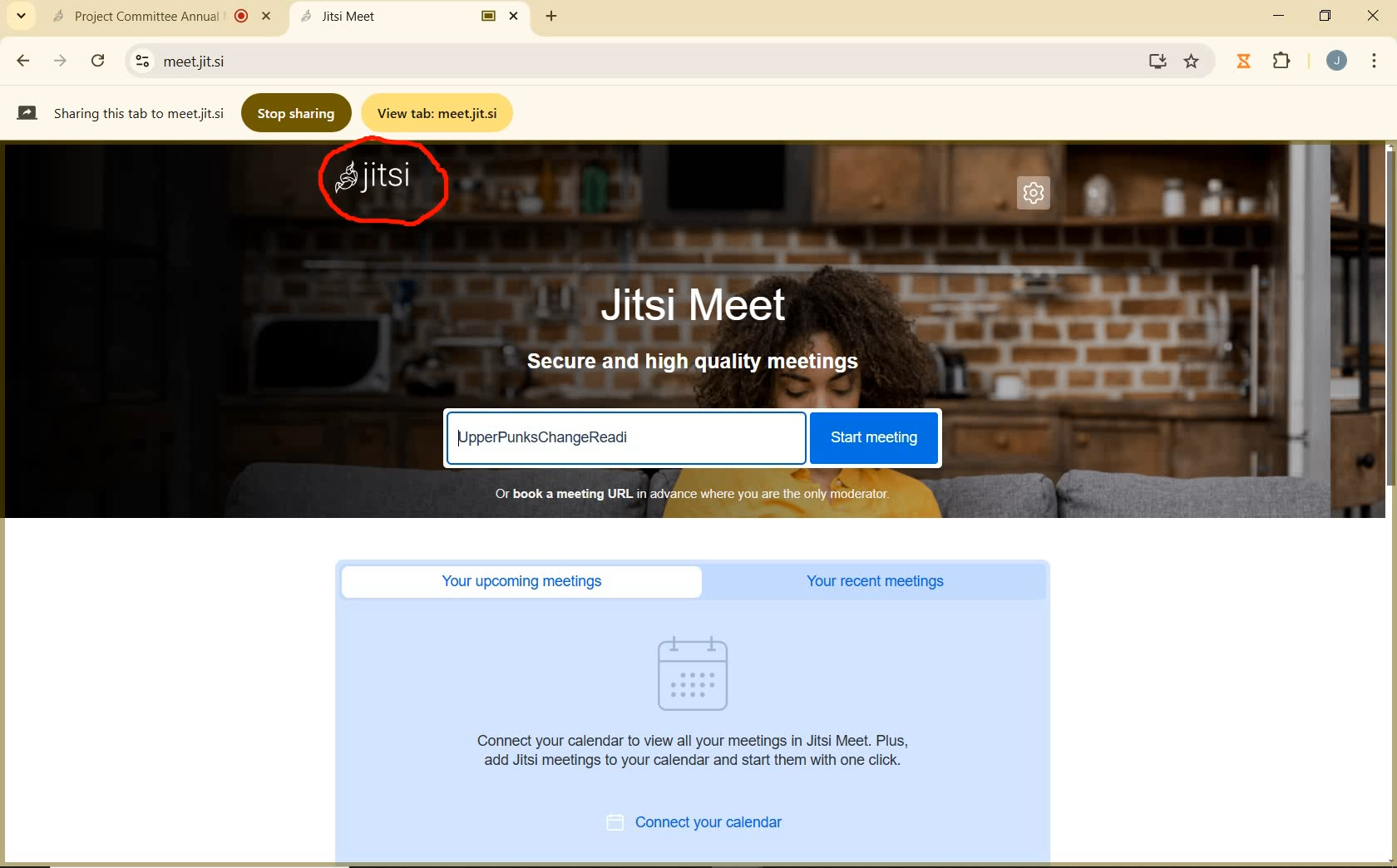 Image resolution: width=1397 pixels, height=868 pixels. What do you see at coordinates (1193, 62) in the screenshot?
I see `bookmark` at bounding box center [1193, 62].